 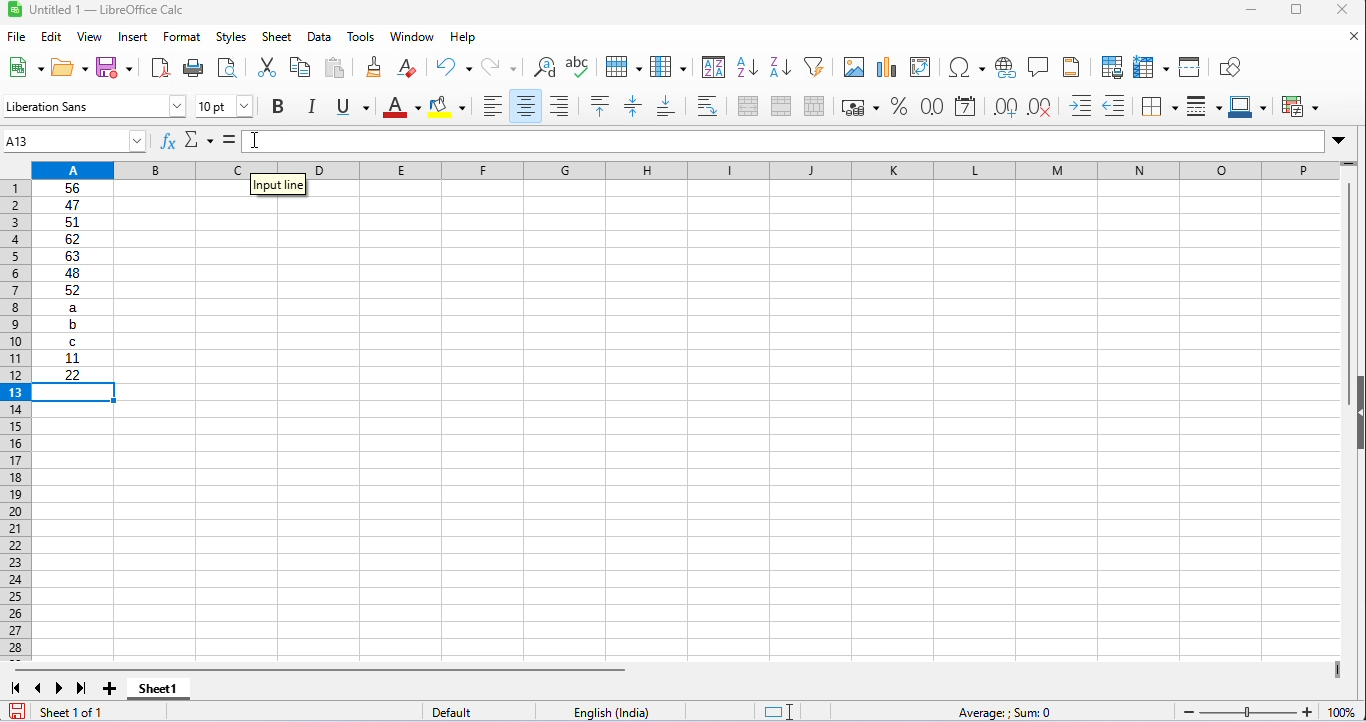 What do you see at coordinates (1190, 67) in the screenshot?
I see `split window` at bounding box center [1190, 67].